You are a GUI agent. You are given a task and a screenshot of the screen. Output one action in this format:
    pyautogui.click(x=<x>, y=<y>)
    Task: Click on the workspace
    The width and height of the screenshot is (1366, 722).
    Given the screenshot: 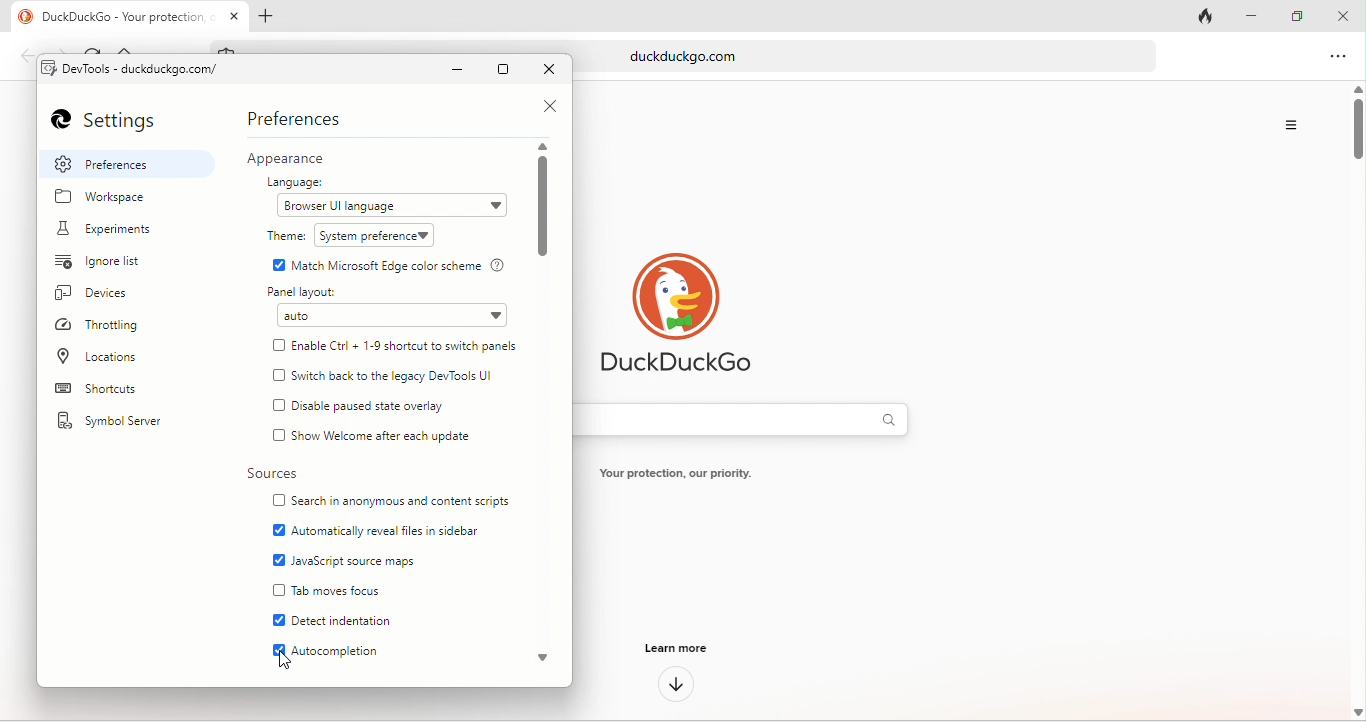 What is the action you would take?
    pyautogui.click(x=111, y=200)
    